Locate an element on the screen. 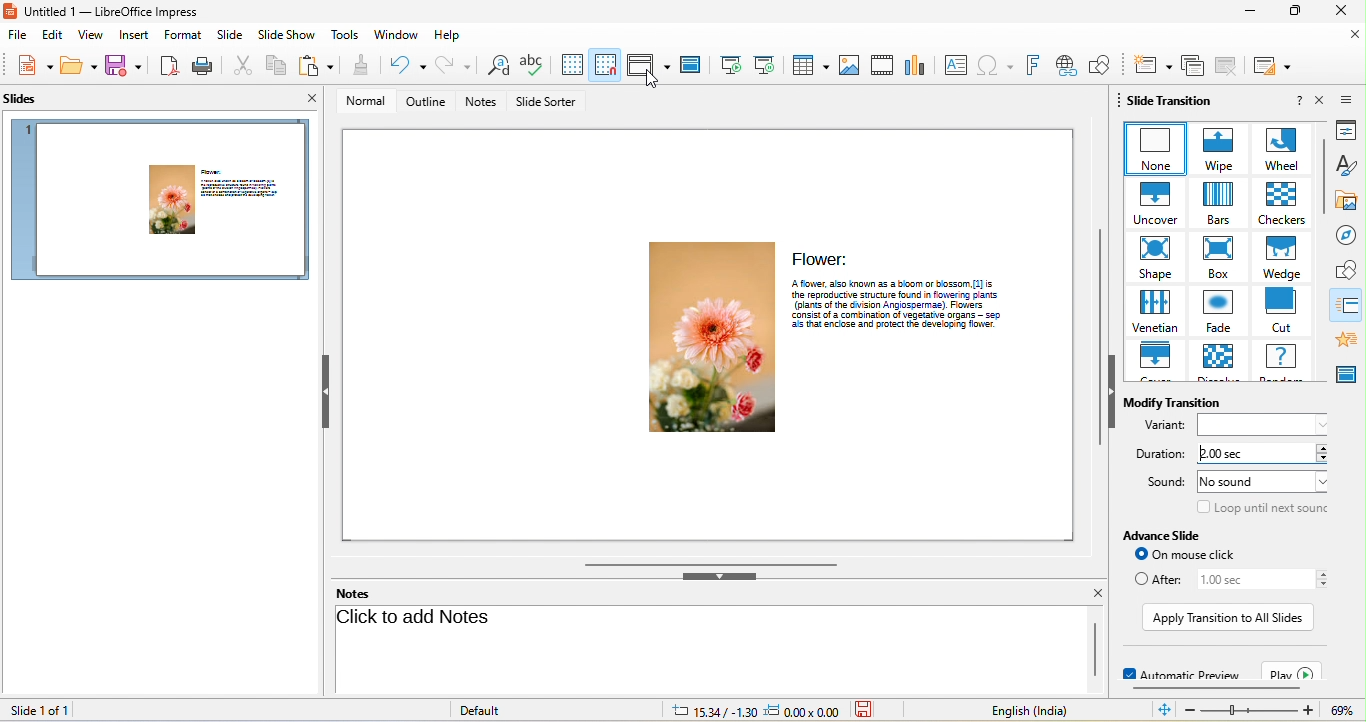  maximize is located at coordinates (1293, 12).